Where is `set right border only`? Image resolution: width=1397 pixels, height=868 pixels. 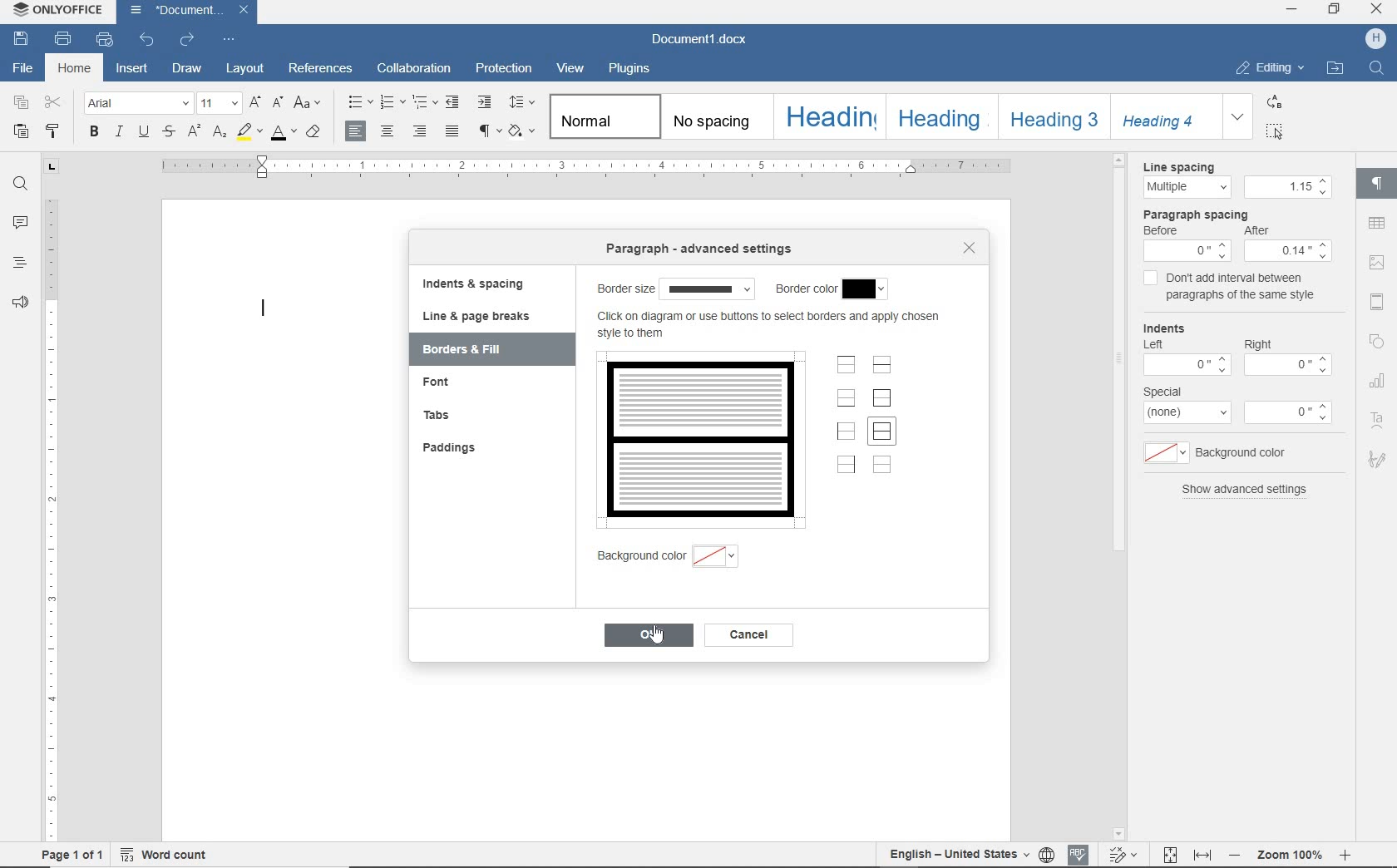 set right border only is located at coordinates (849, 467).